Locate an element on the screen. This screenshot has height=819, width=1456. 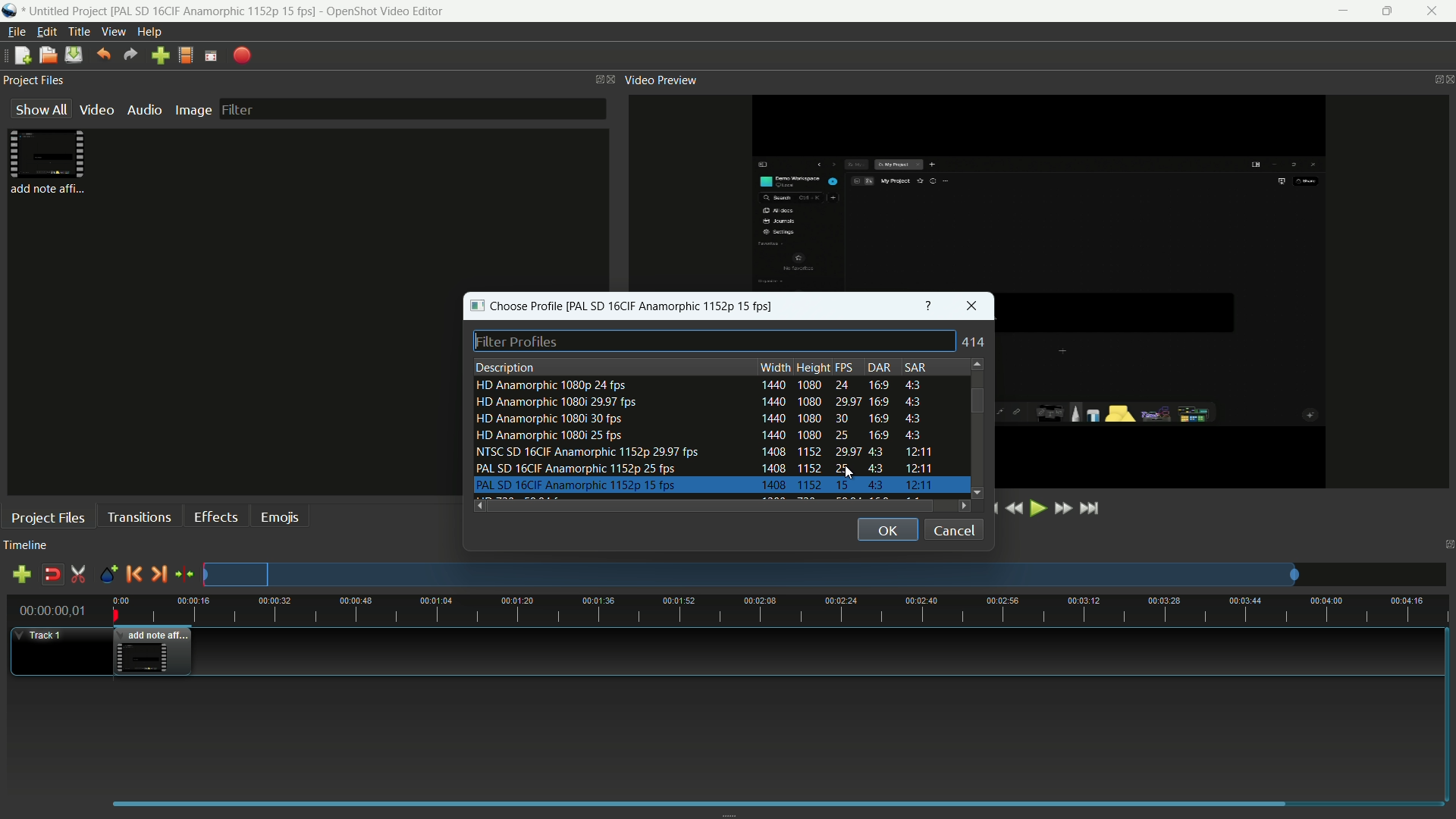
ok is located at coordinates (887, 529).